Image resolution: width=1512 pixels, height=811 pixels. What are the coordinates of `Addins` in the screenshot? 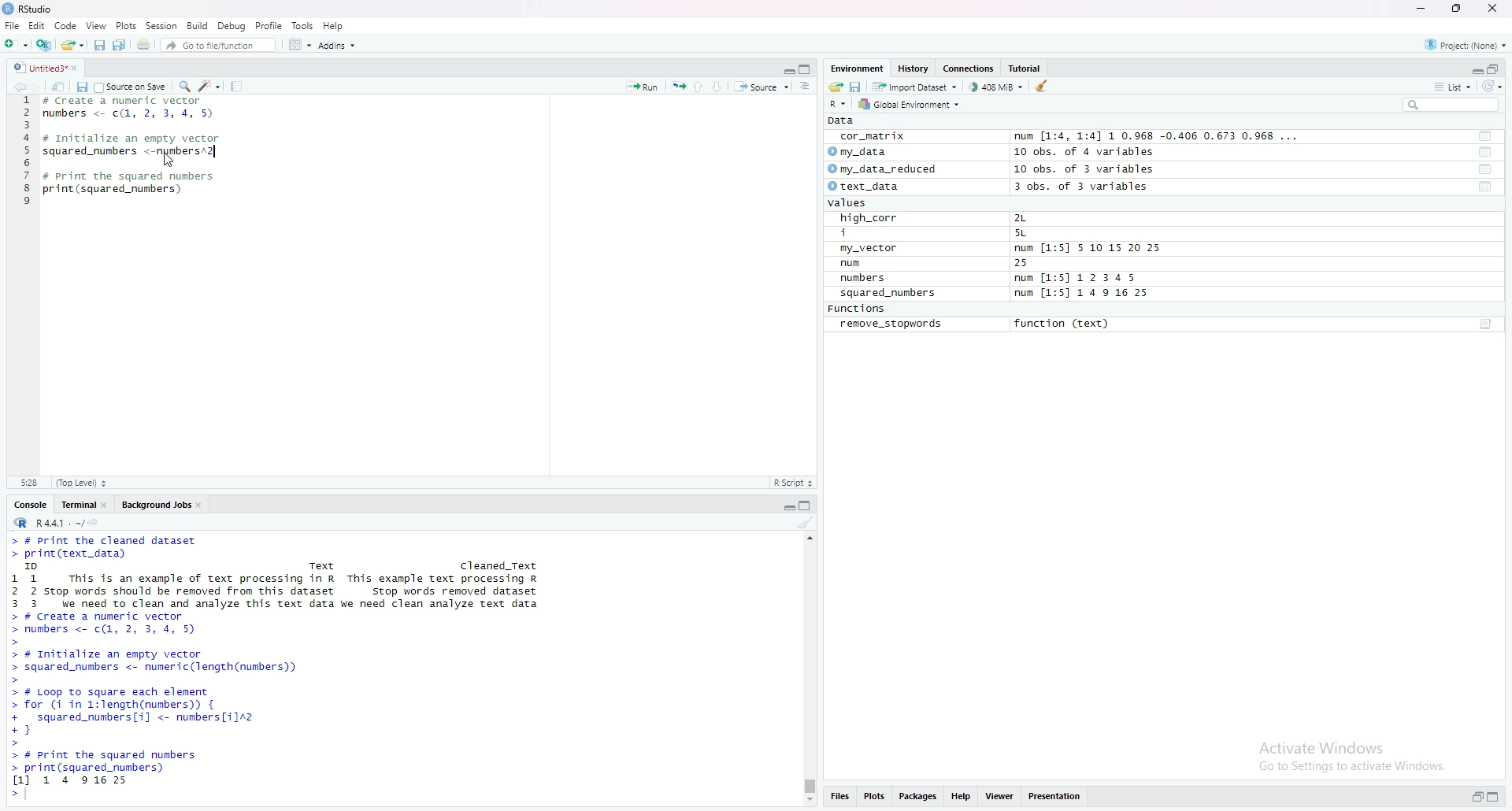 It's located at (336, 45).